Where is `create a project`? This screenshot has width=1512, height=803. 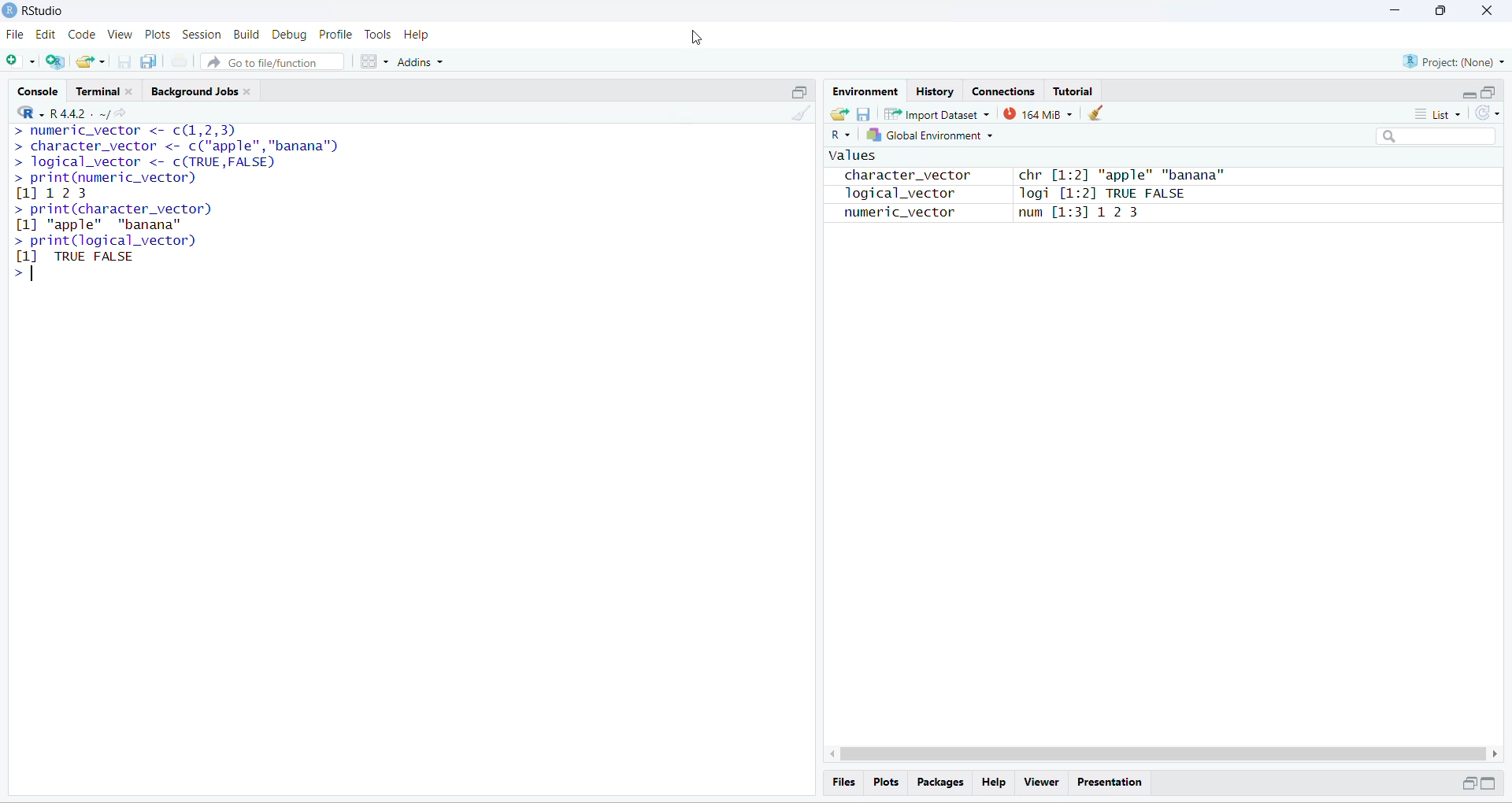
create a project is located at coordinates (54, 61).